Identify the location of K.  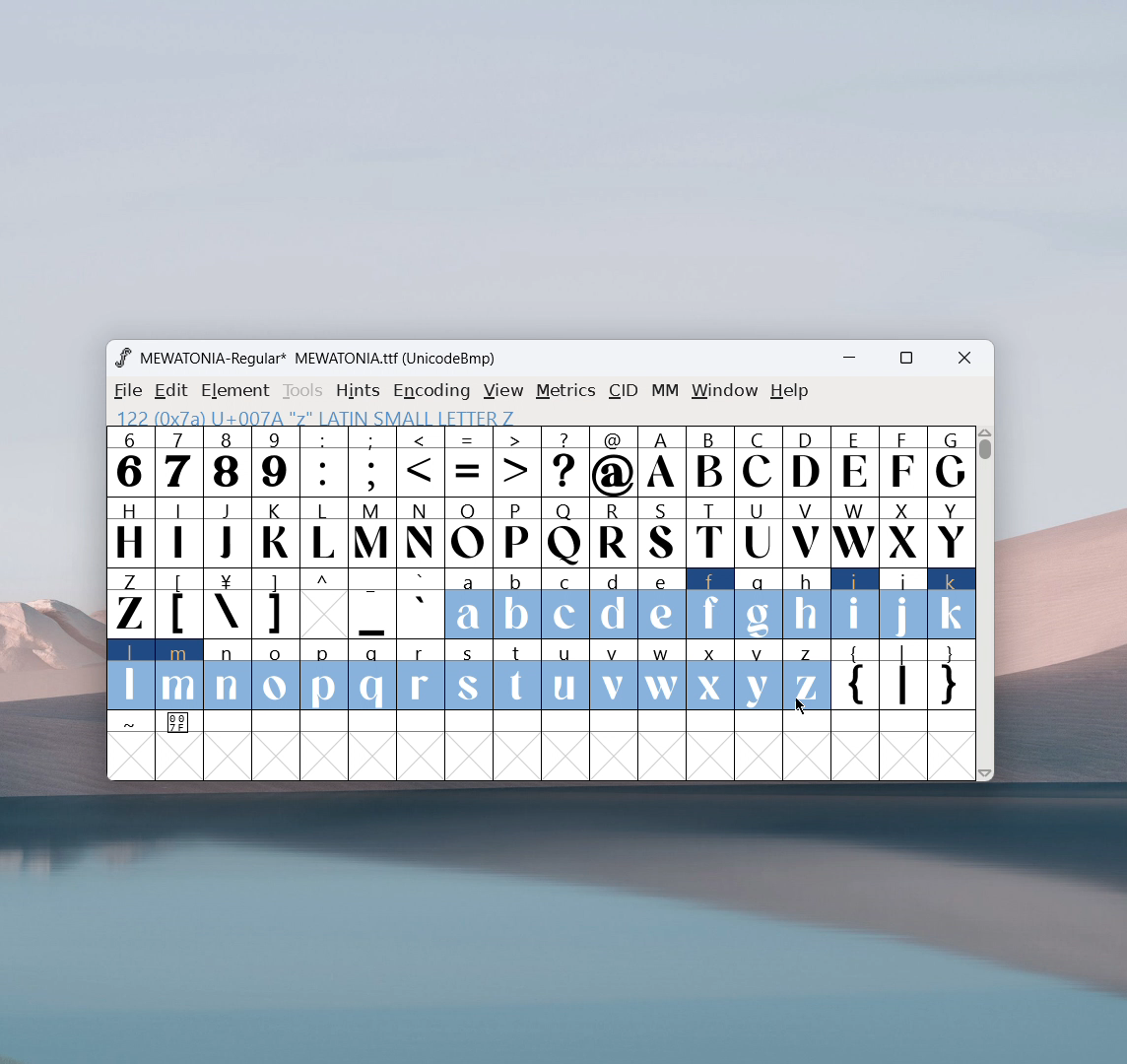
(277, 532).